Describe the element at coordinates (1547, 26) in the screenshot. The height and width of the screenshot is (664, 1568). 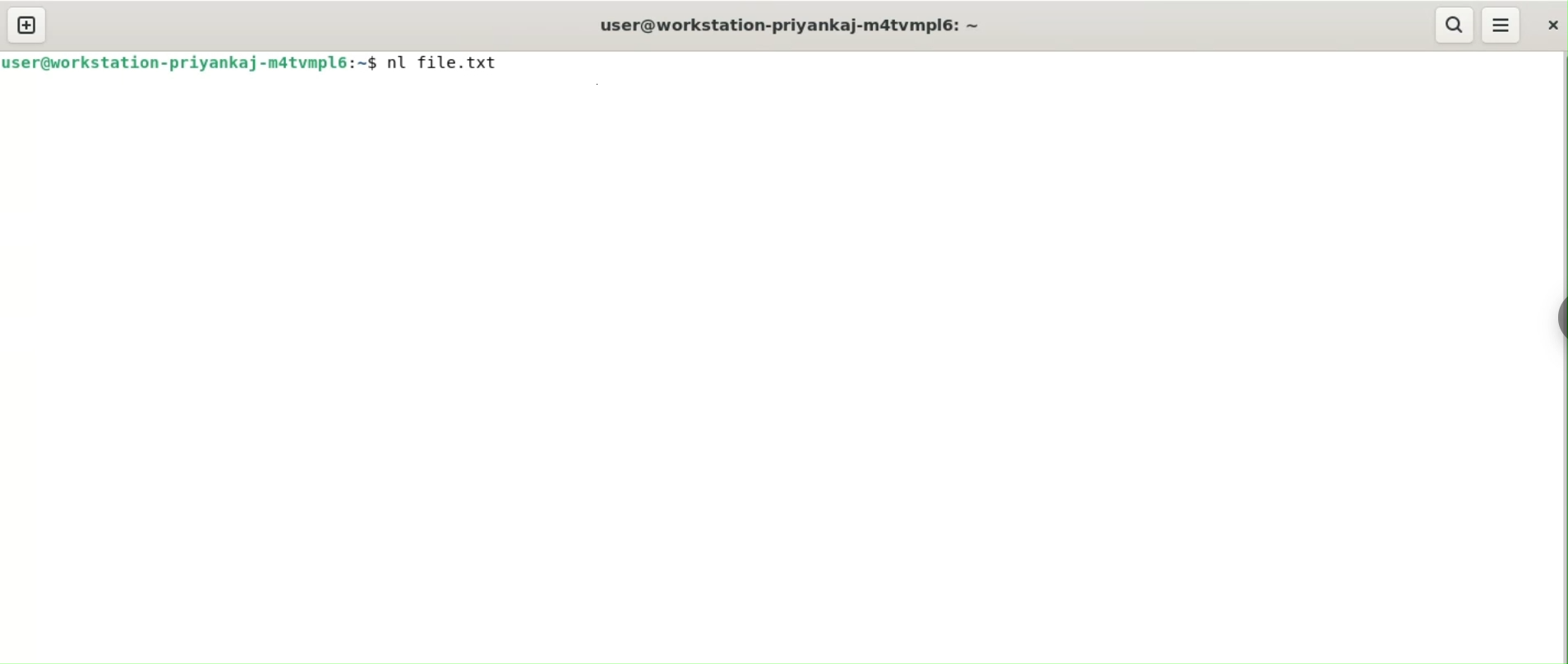
I see `close` at that location.